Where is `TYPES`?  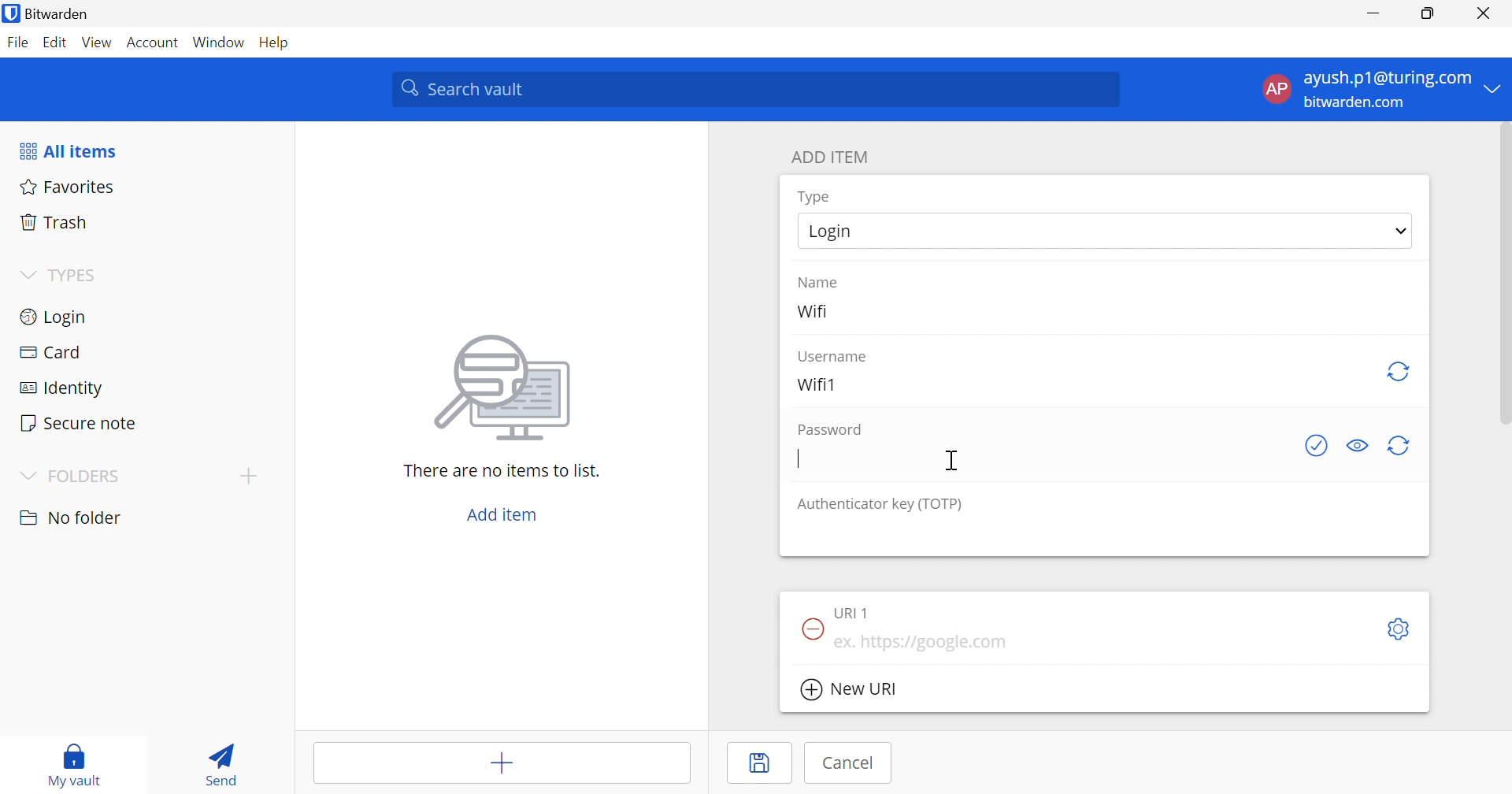 TYPES is located at coordinates (76, 278).